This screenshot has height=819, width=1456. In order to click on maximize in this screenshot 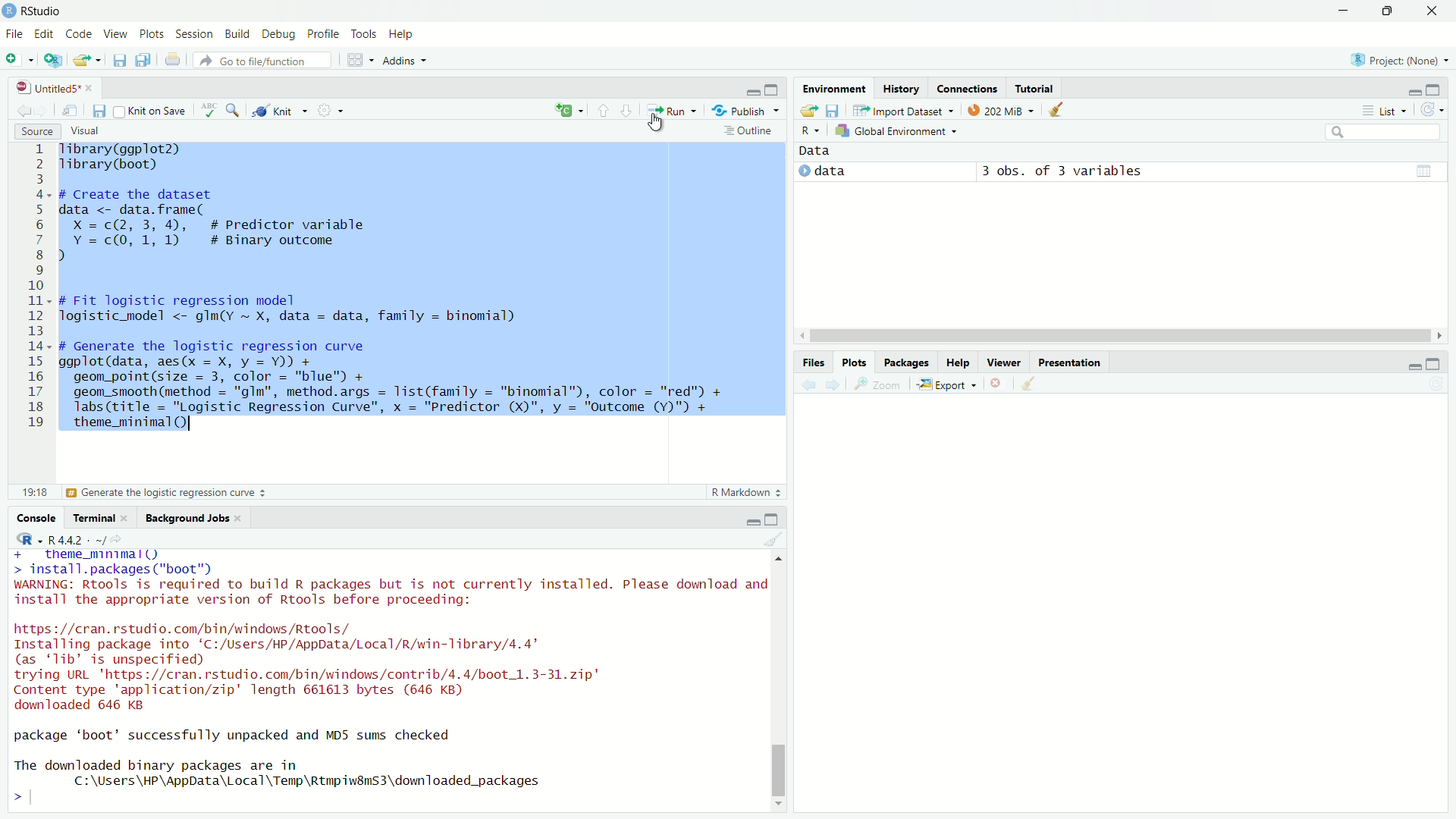, I will do `click(772, 89)`.